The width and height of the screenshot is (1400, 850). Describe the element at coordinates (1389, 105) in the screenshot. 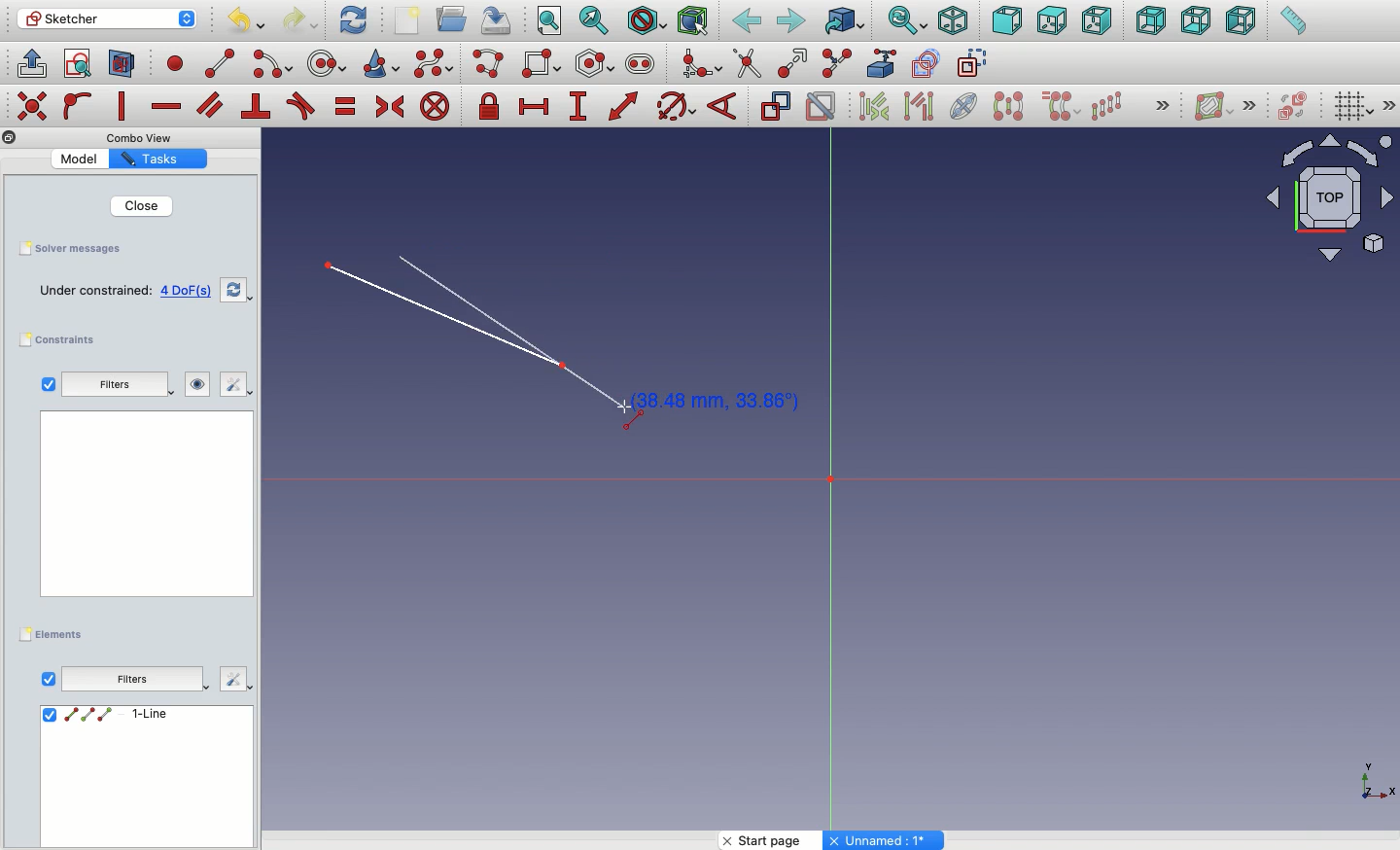

I see `` at that location.